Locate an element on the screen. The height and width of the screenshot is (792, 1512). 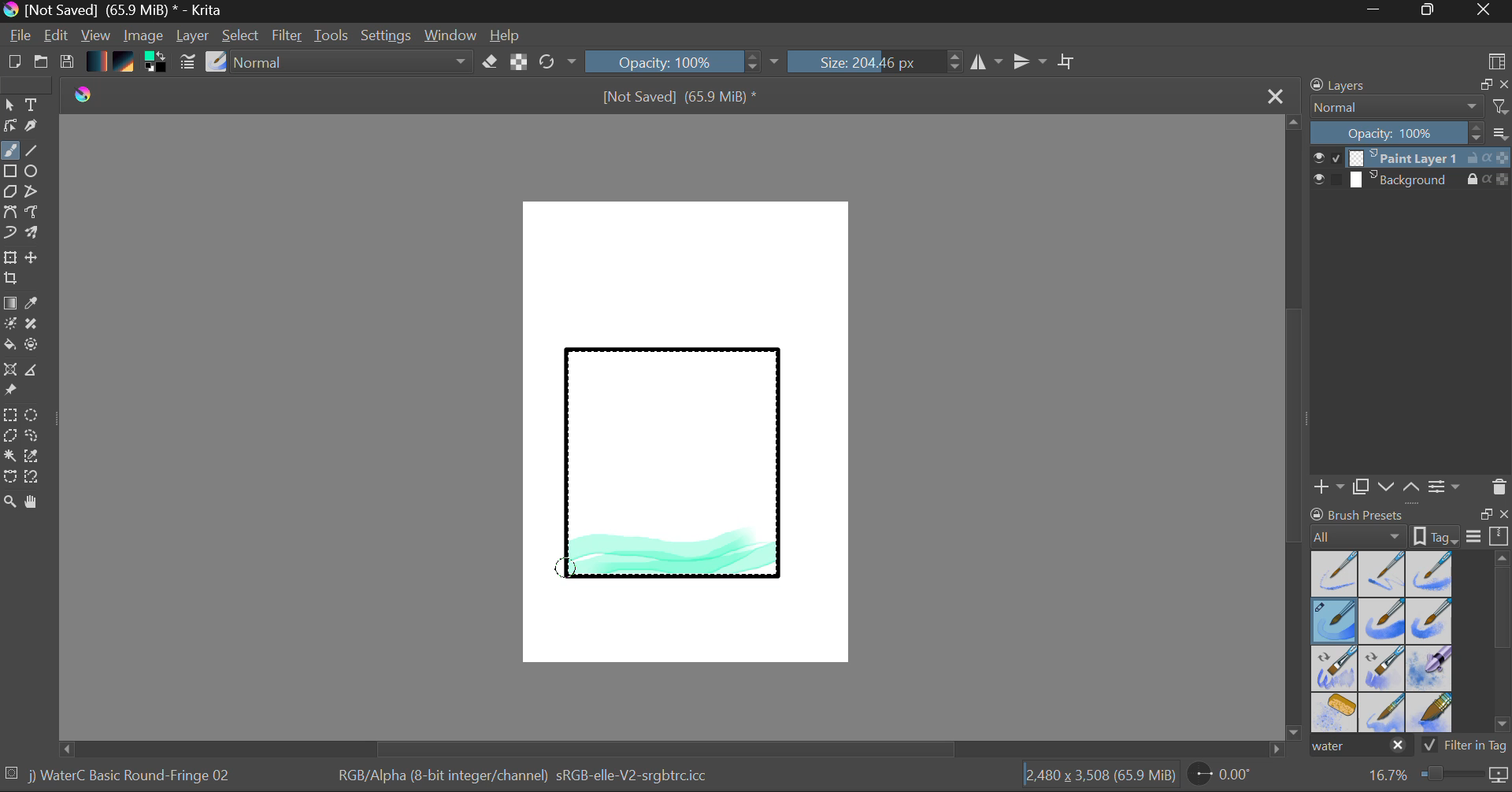
New is located at coordinates (13, 64).